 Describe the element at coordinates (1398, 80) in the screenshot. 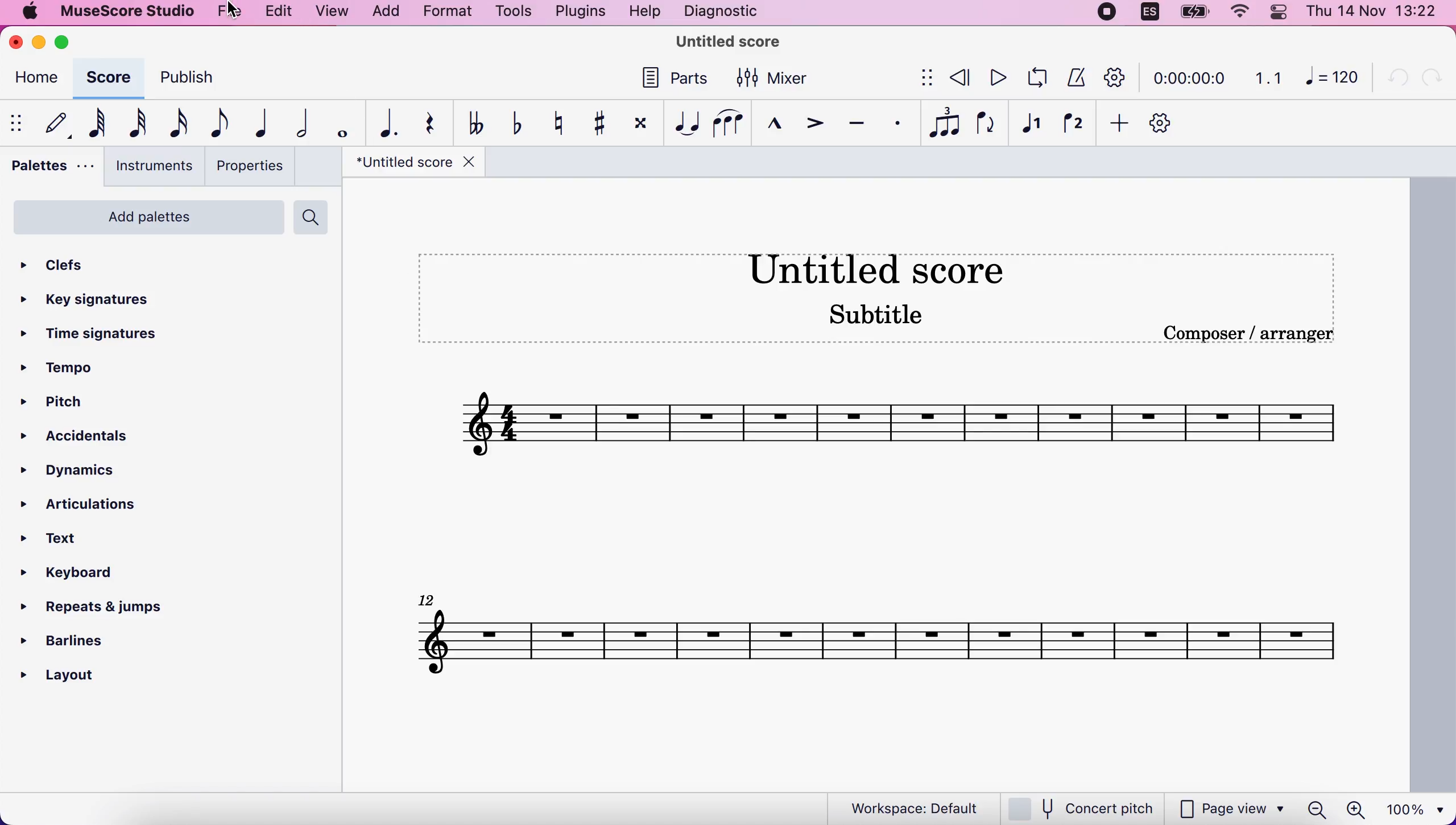

I see `undo` at that location.